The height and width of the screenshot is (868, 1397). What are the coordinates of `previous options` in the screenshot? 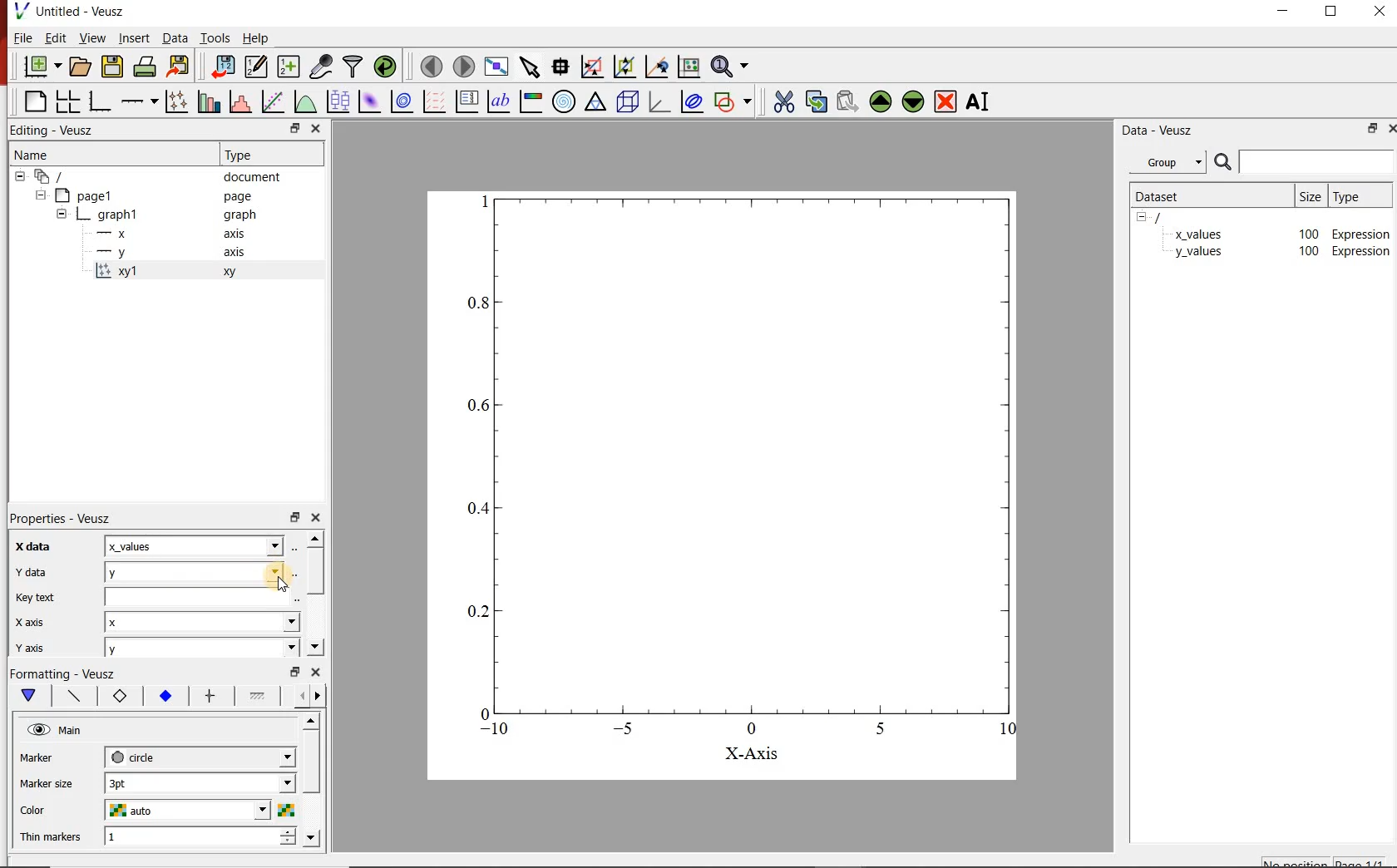 It's located at (299, 697).